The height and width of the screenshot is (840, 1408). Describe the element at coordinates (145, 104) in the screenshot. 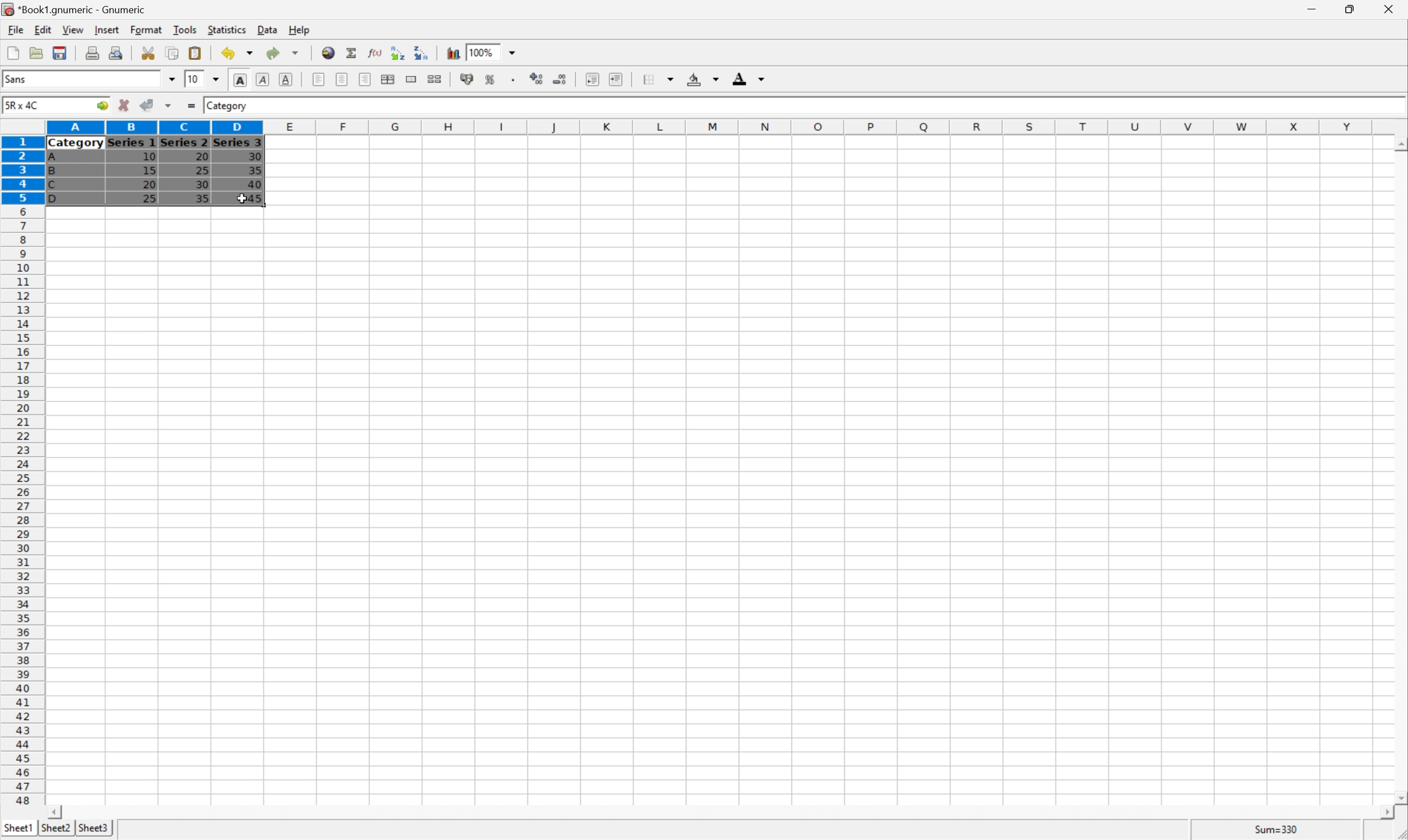

I see `Accept changes` at that location.